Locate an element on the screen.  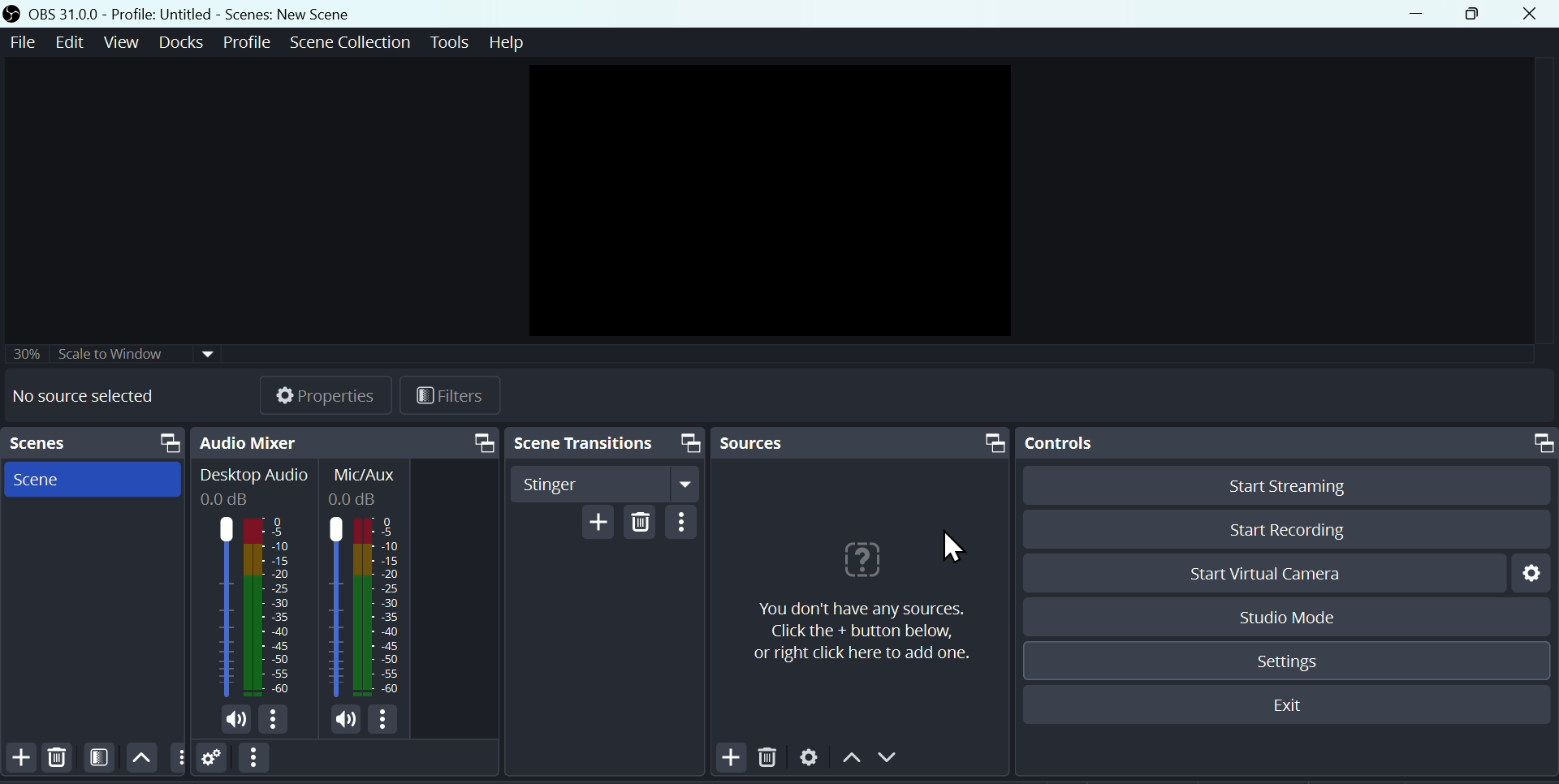
You don't have any sources. click + button below or right click here to add one is located at coordinates (862, 632).